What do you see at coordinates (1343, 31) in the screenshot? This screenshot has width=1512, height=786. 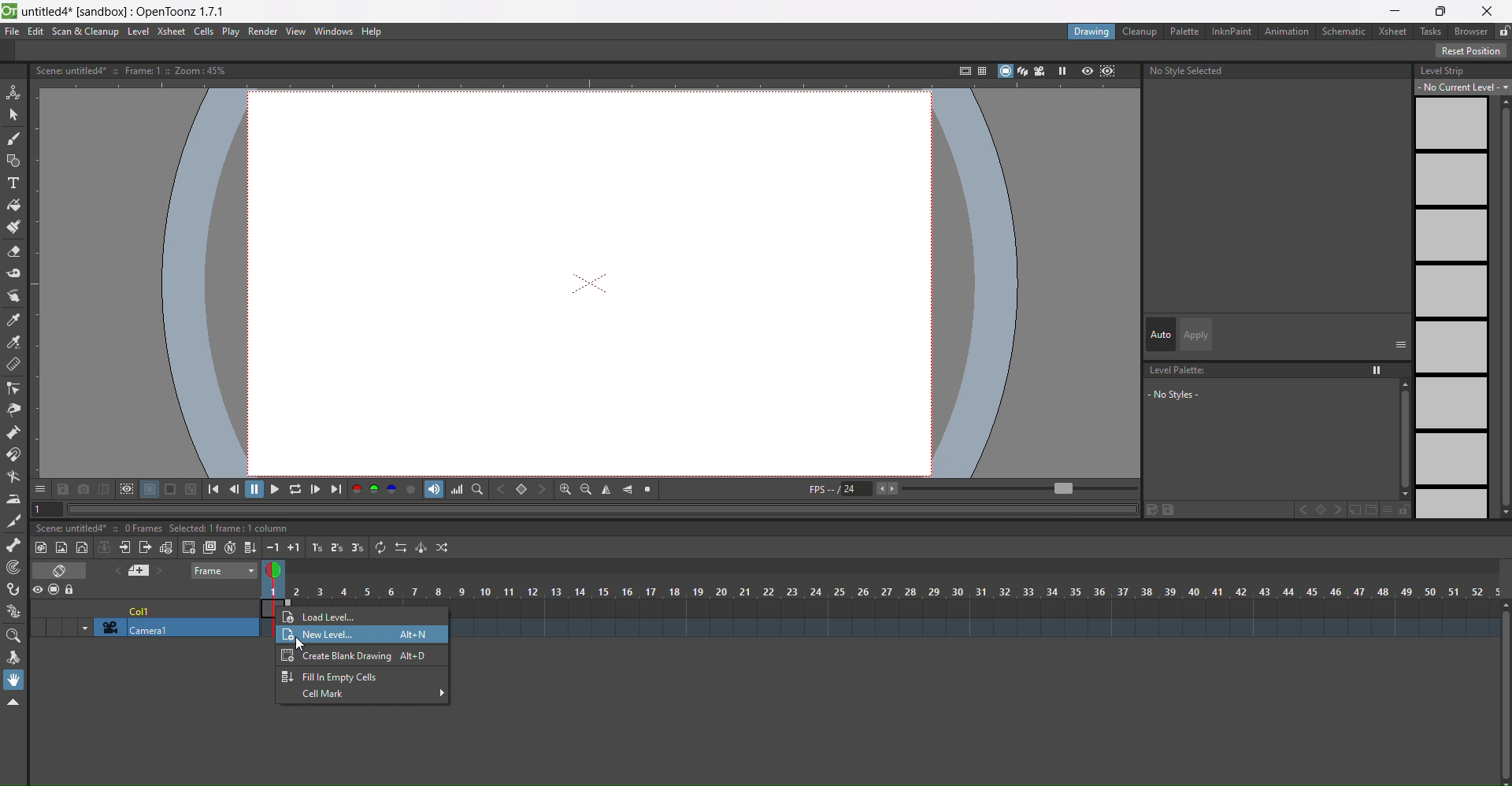 I see `schematic` at bounding box center [1343, 31].